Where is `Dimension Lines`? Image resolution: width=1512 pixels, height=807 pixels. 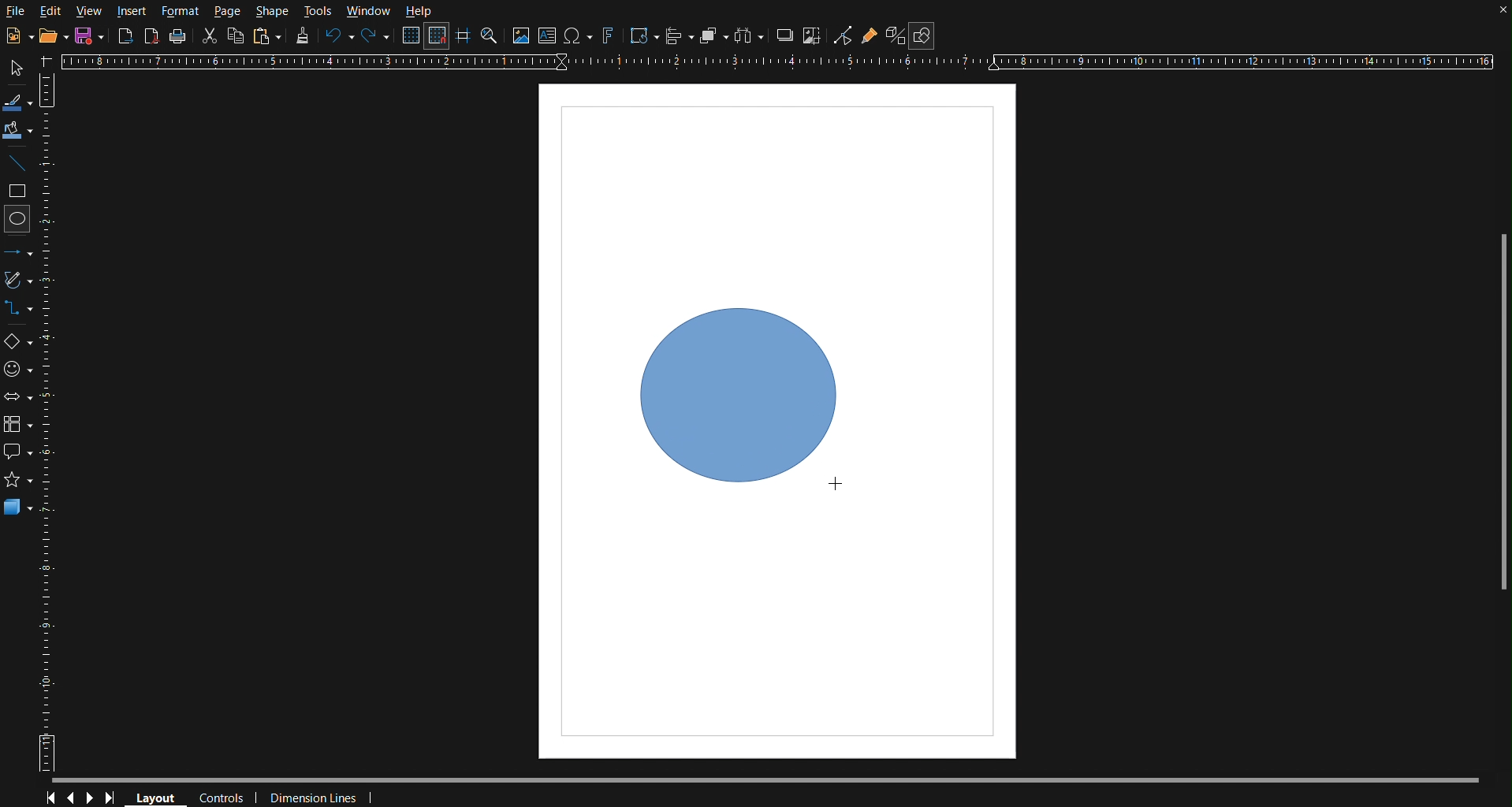 Dimension Lines is located at coordinates (315, 795).